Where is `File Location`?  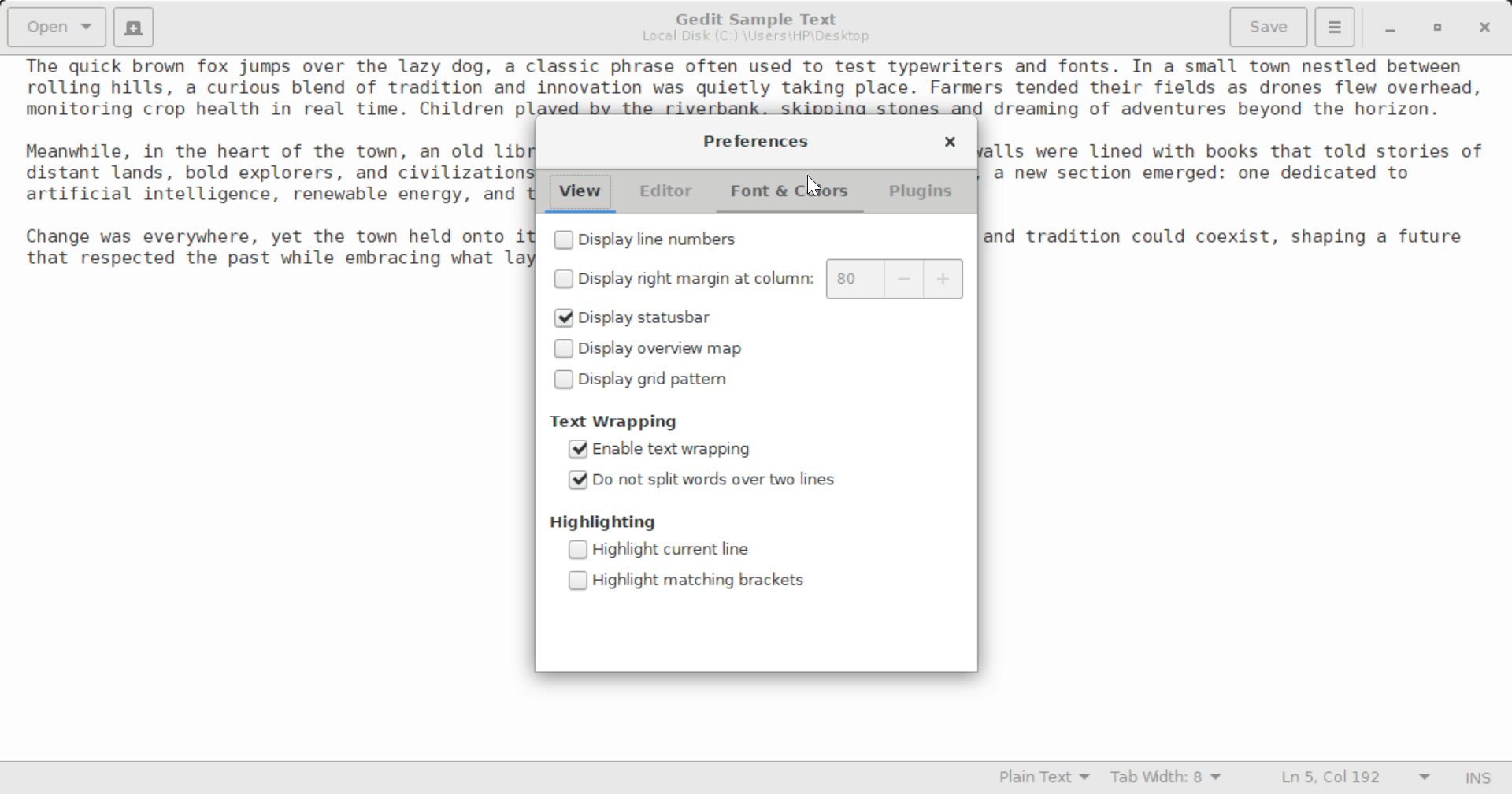
File Location is located at coordinates (754, 39).